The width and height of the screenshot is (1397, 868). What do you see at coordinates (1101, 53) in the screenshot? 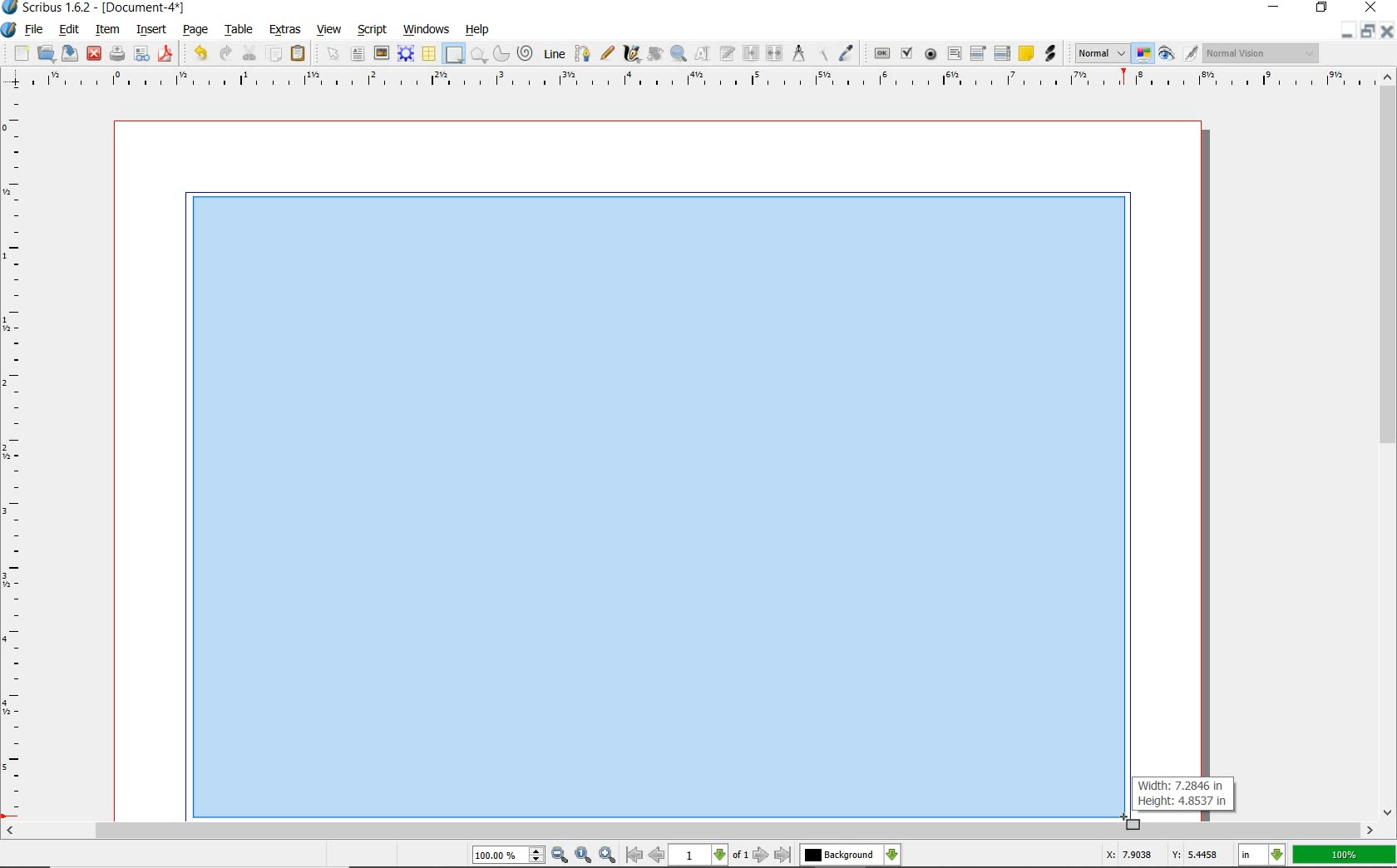
I see `Normal` at bounding box center [1101, 53].